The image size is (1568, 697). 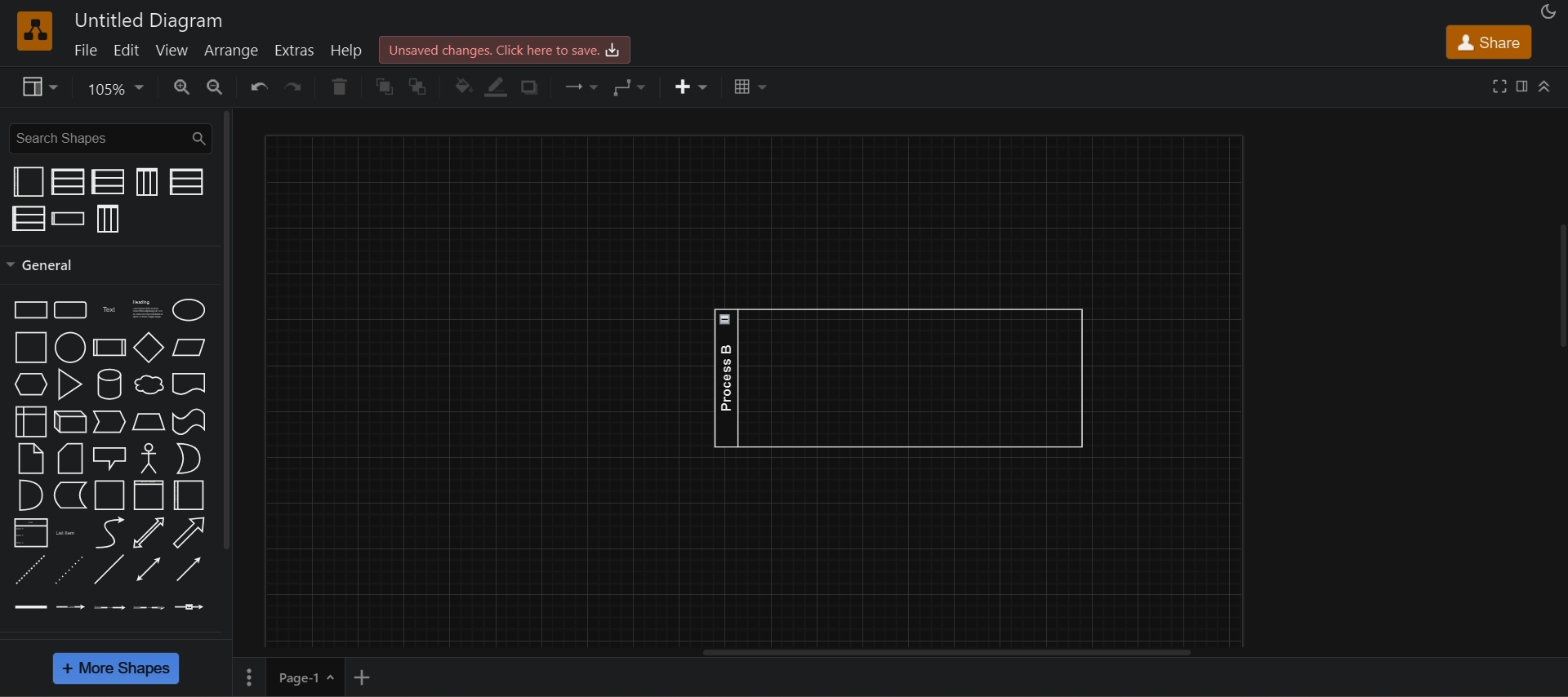 What do you see at coordinates (149, 421) in the screenshot?
I see `trapezoid` at bounding box center [149, 421].